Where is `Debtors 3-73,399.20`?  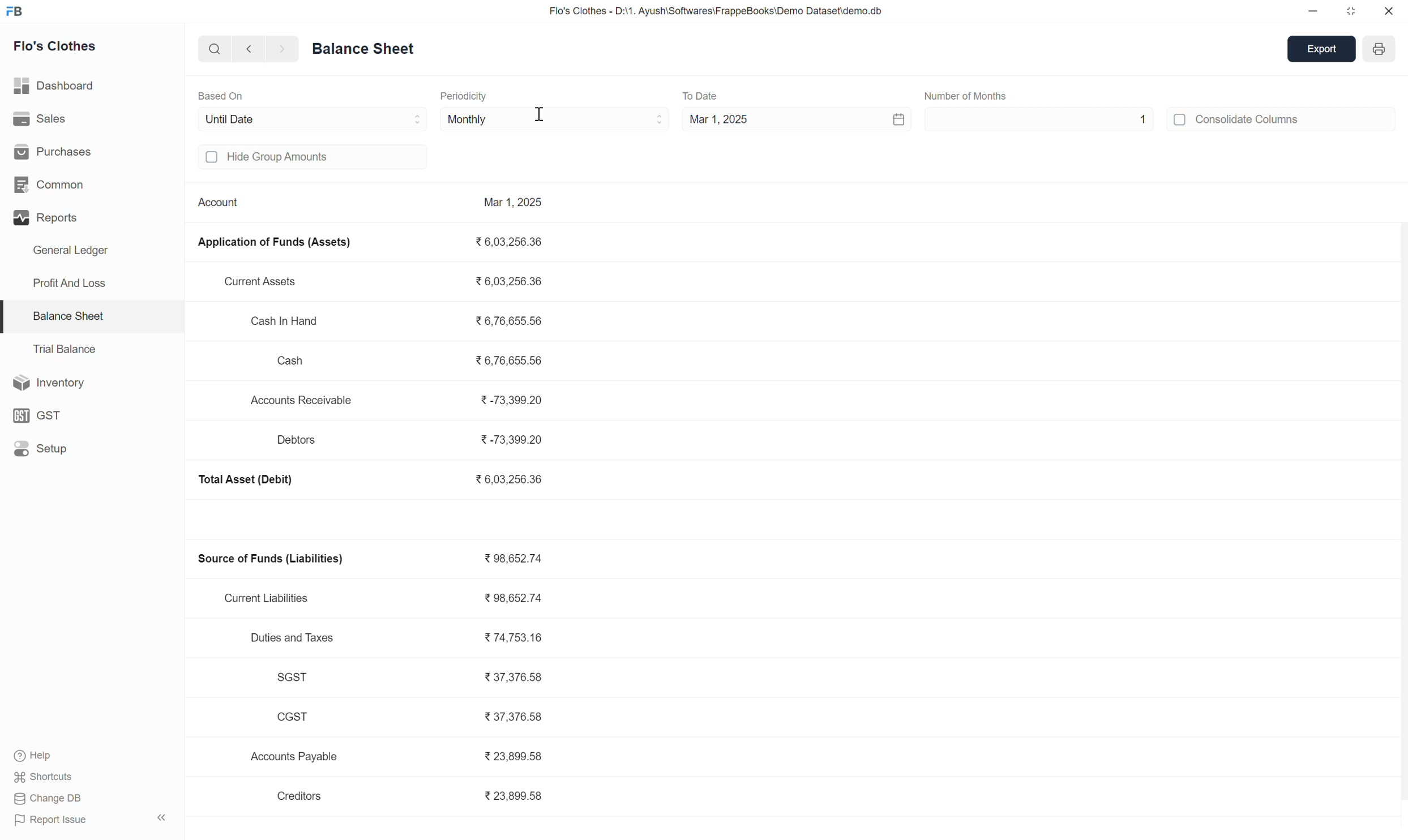 Debtors 3-73,399.20 is located at coordinates (415, 440).